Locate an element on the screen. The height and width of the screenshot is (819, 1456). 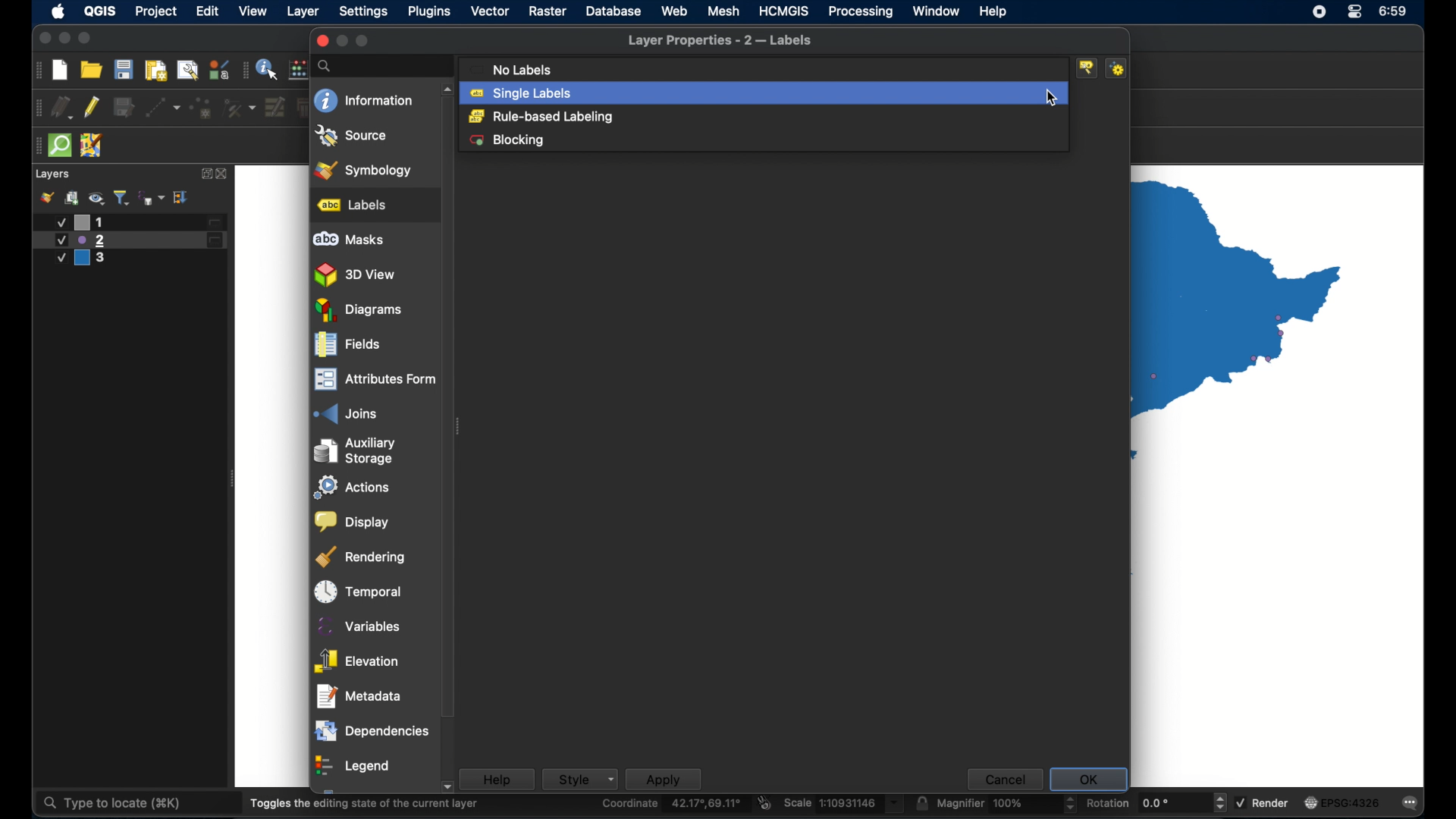
layer is located at coordinates (304, 12).